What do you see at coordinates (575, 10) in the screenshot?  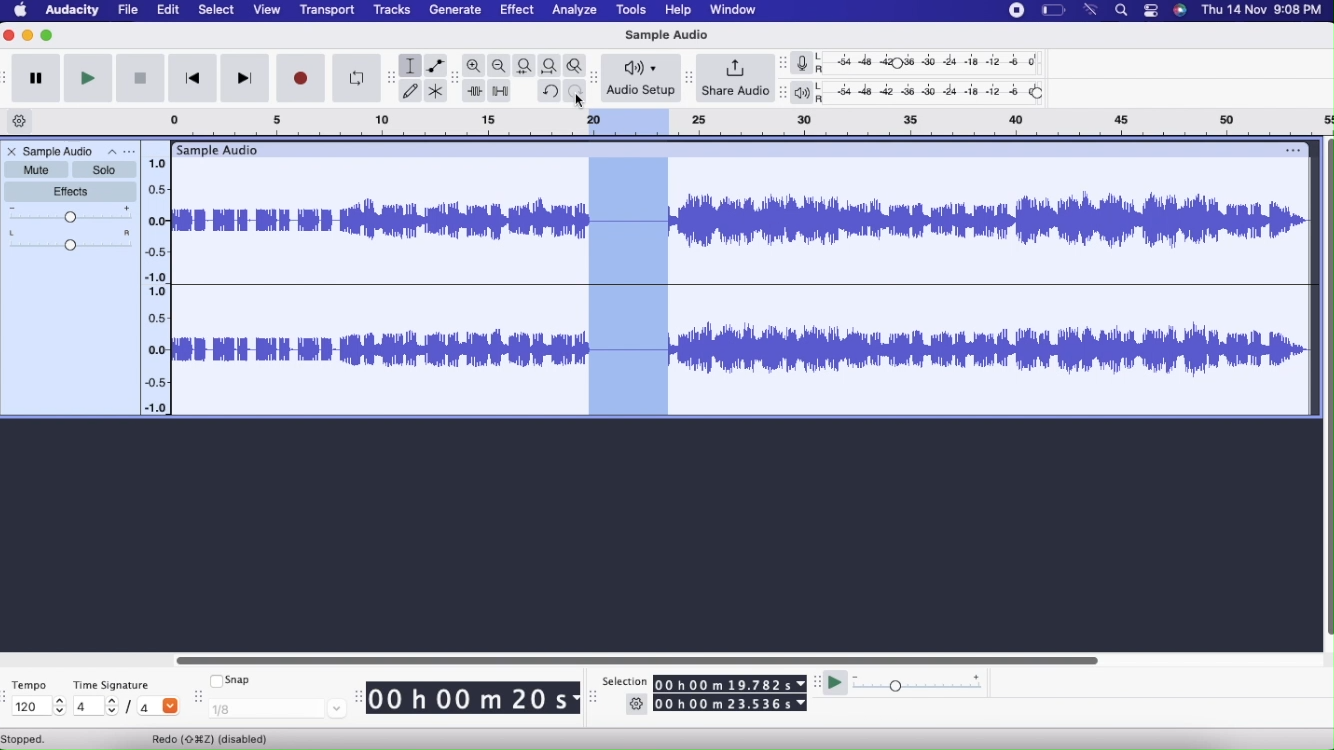 I see `Analyze` at bounding box center [575, 10].